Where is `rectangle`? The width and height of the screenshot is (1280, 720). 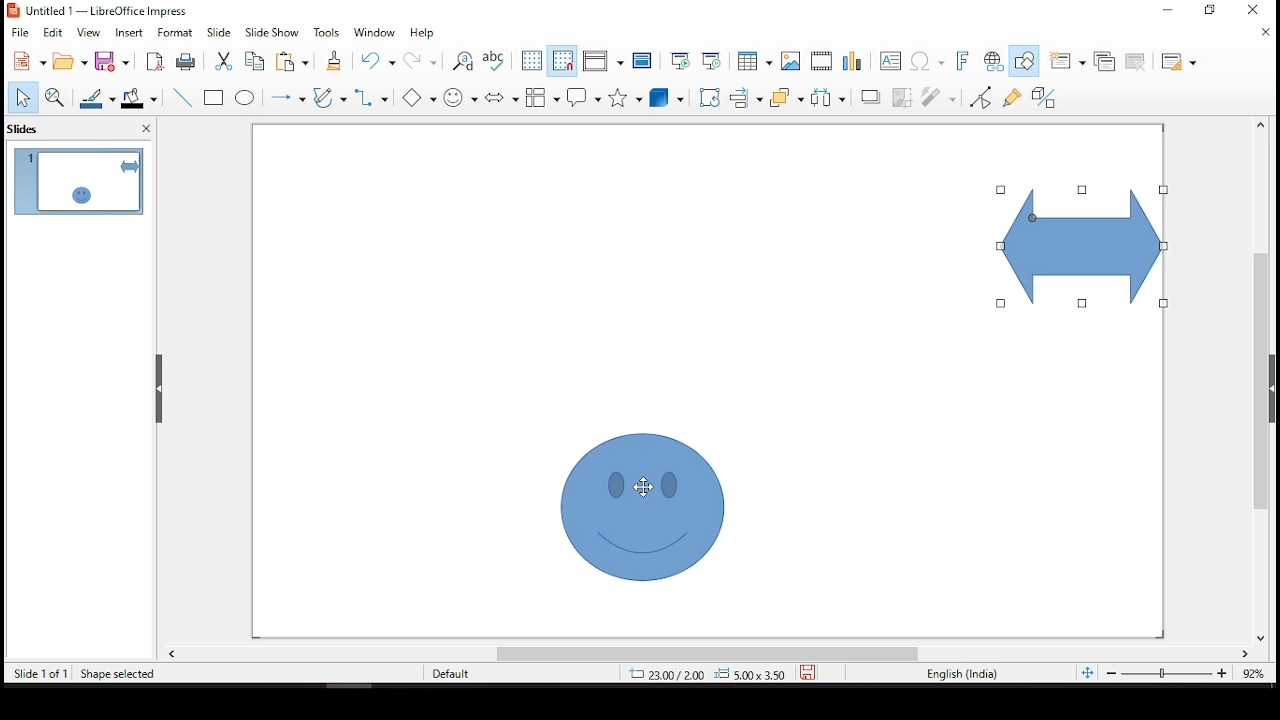 rectangle is located at coordinates (216, 99).